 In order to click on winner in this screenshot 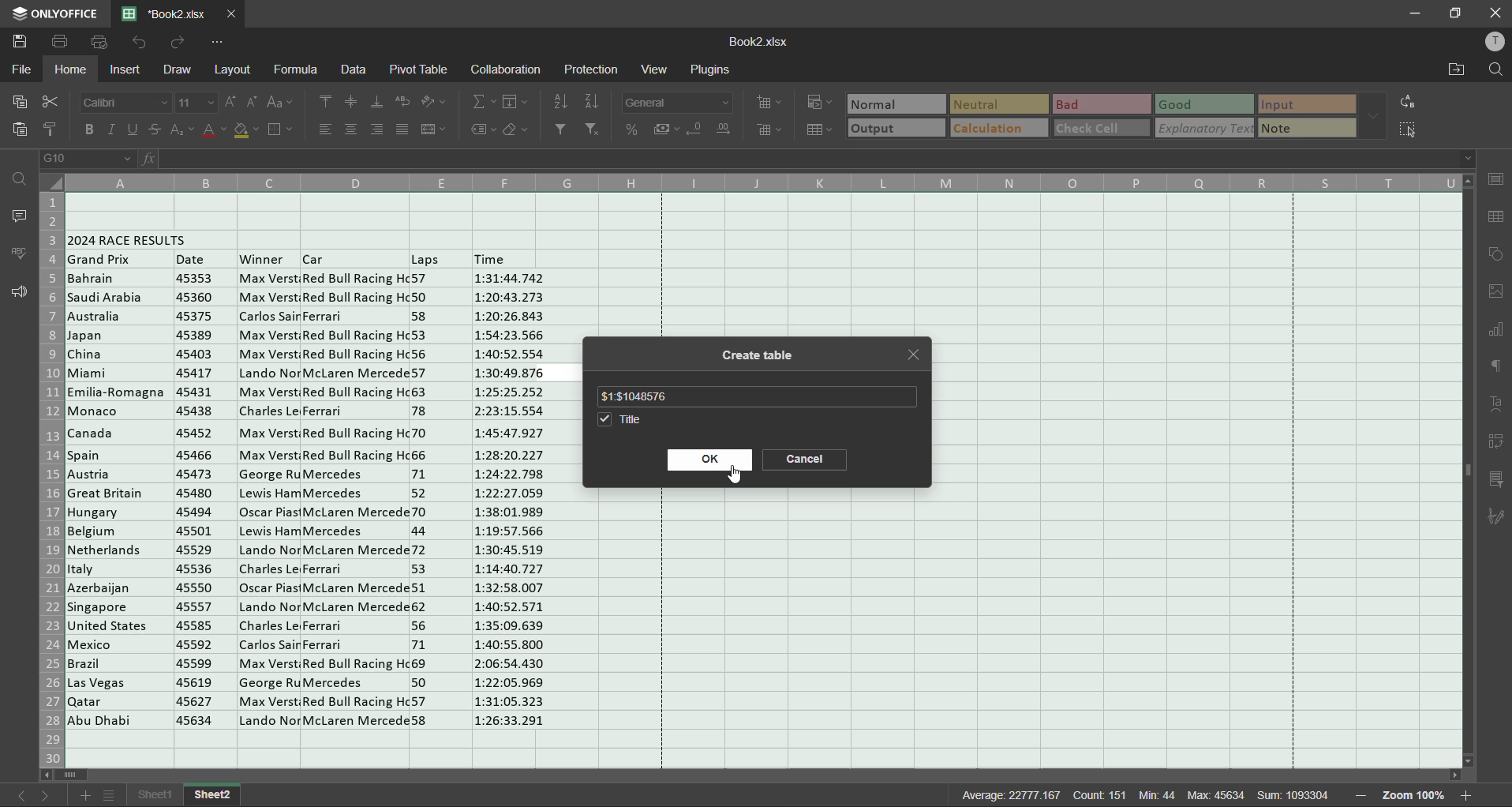, I will do `click(264, 259)`.